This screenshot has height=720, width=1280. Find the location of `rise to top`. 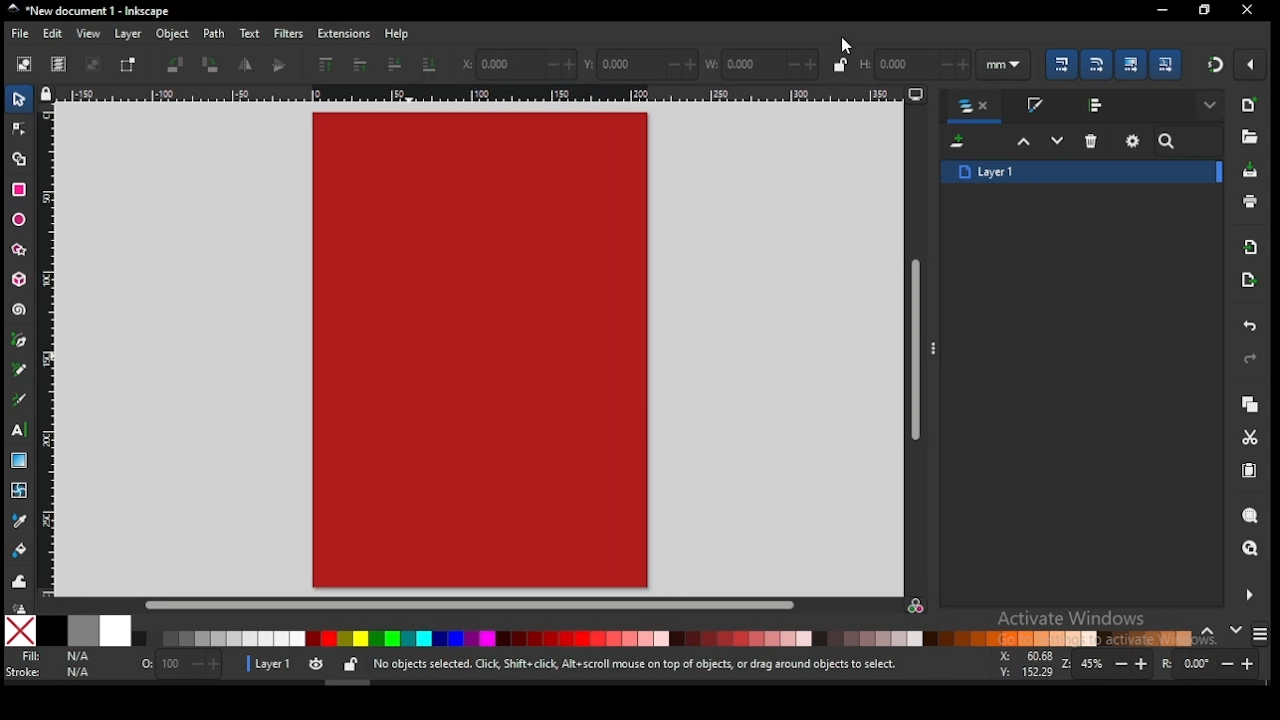

rise to top is located at coordinates (324, 65).